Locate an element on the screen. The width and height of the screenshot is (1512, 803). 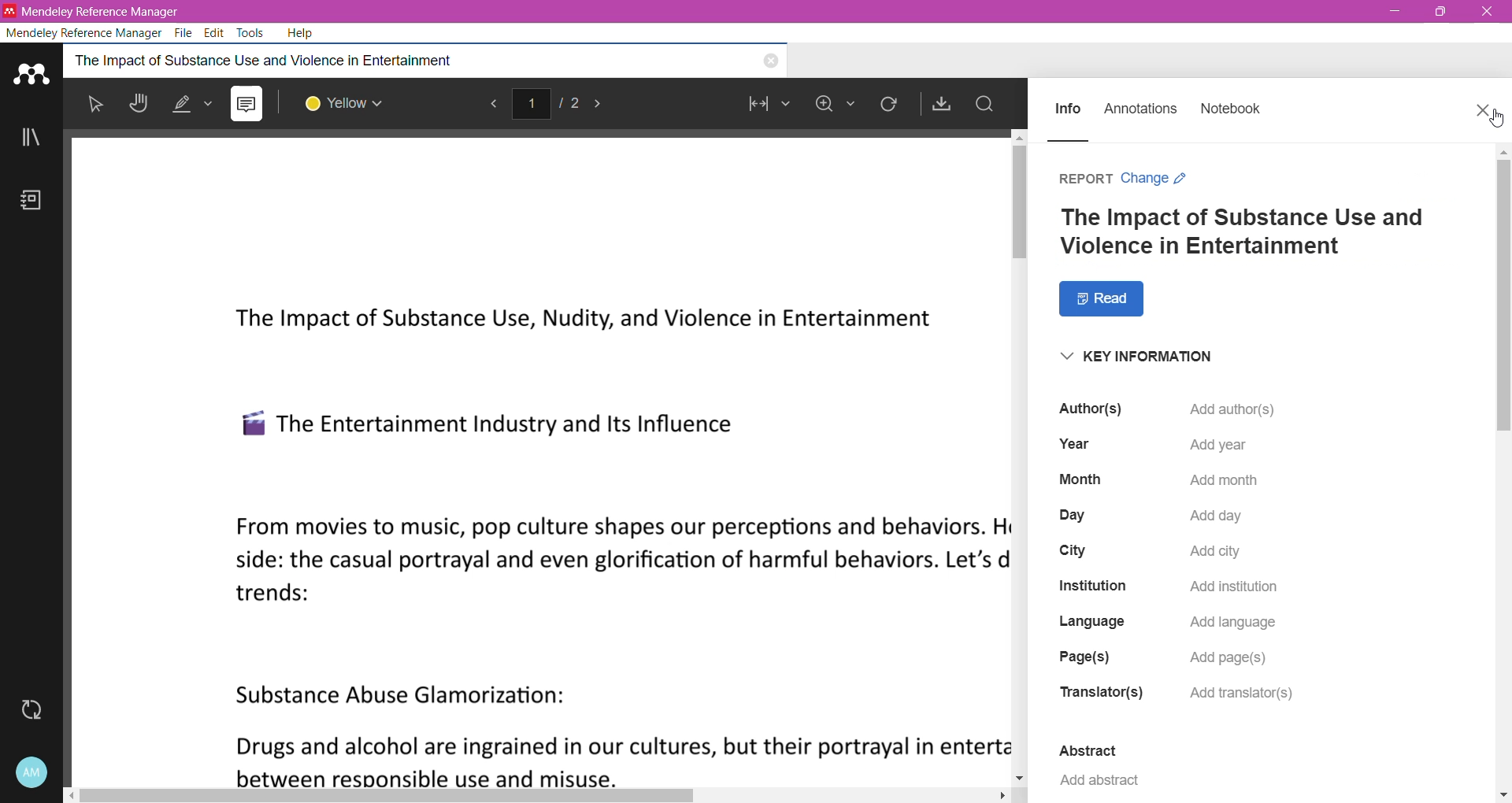
Restore Down is located at coordinates (1441, 11).